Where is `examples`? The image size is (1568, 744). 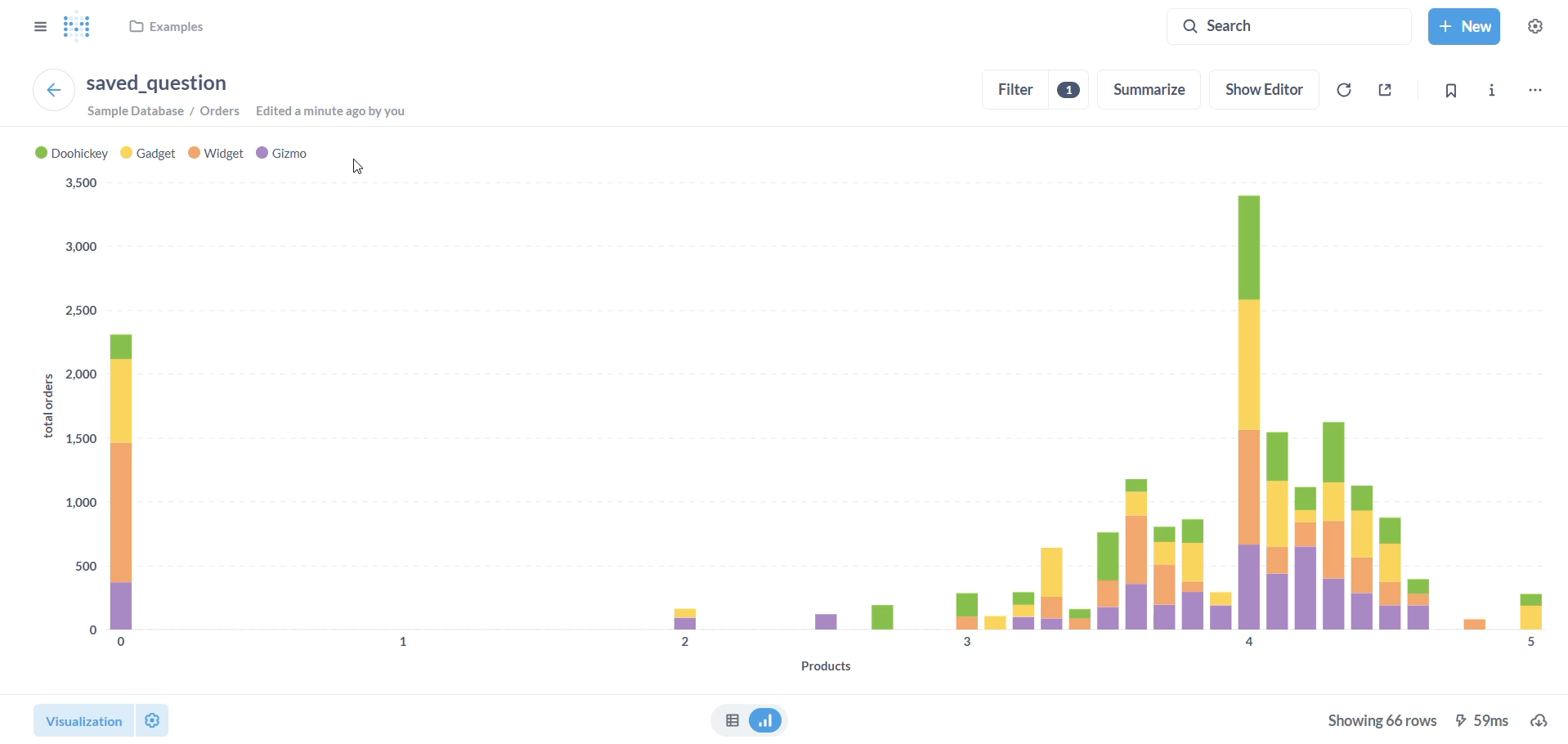
examples is located at coordinates (171, 30).